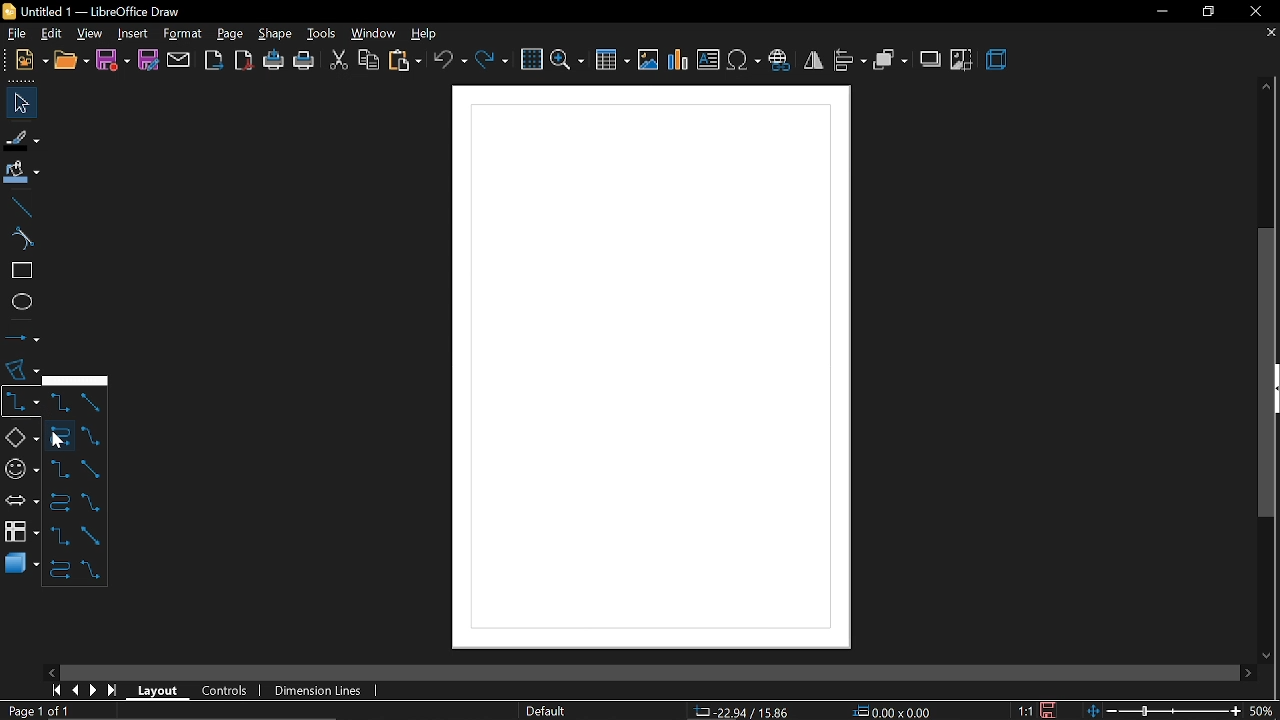 This screenshot has width=1280, height=720. What do you see at coordinates (58, 503) in the screenshot?
I see `curved connector with arrow` at bounding box center [58, 503].